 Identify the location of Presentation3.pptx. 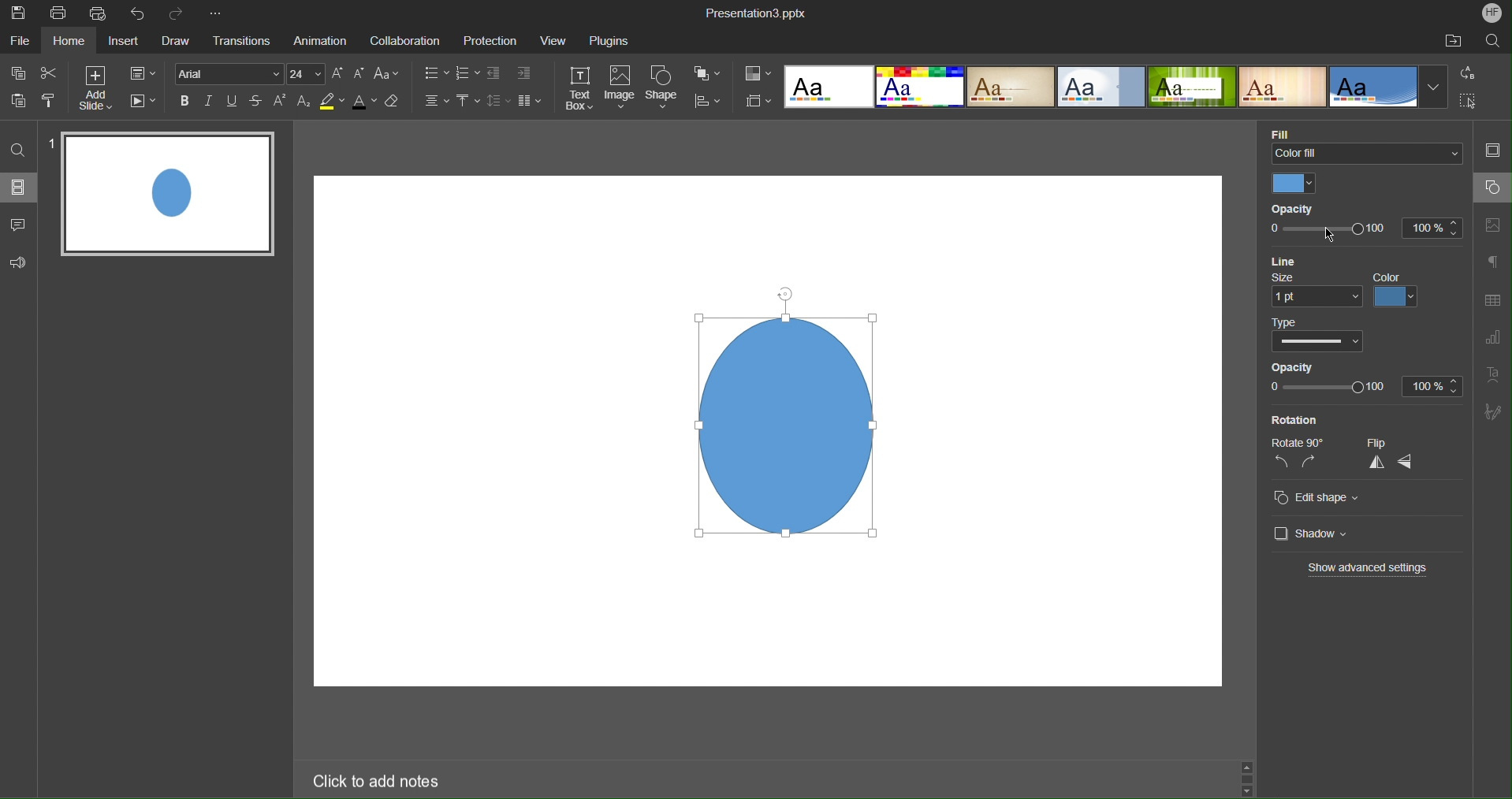
(754, 13).